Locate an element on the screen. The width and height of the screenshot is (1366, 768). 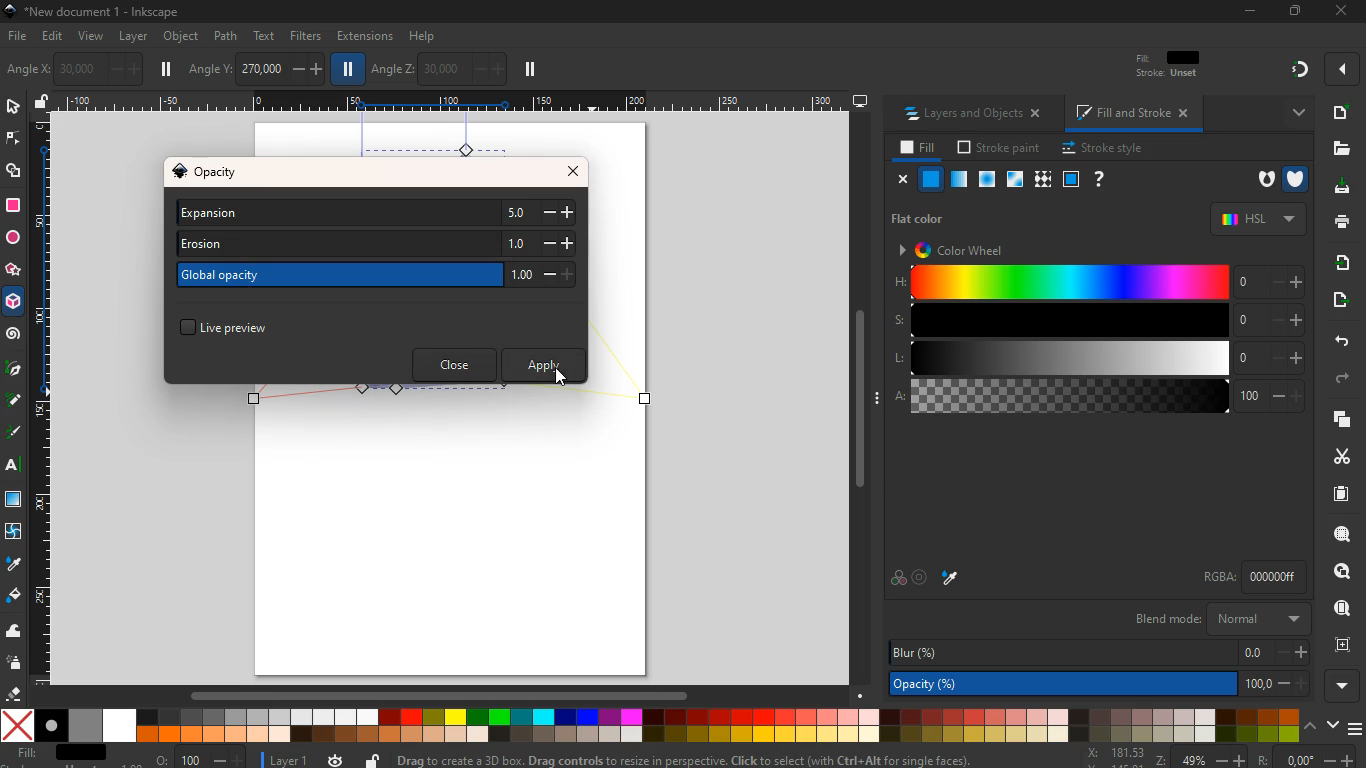
back is located at coordinates (1340, 340).